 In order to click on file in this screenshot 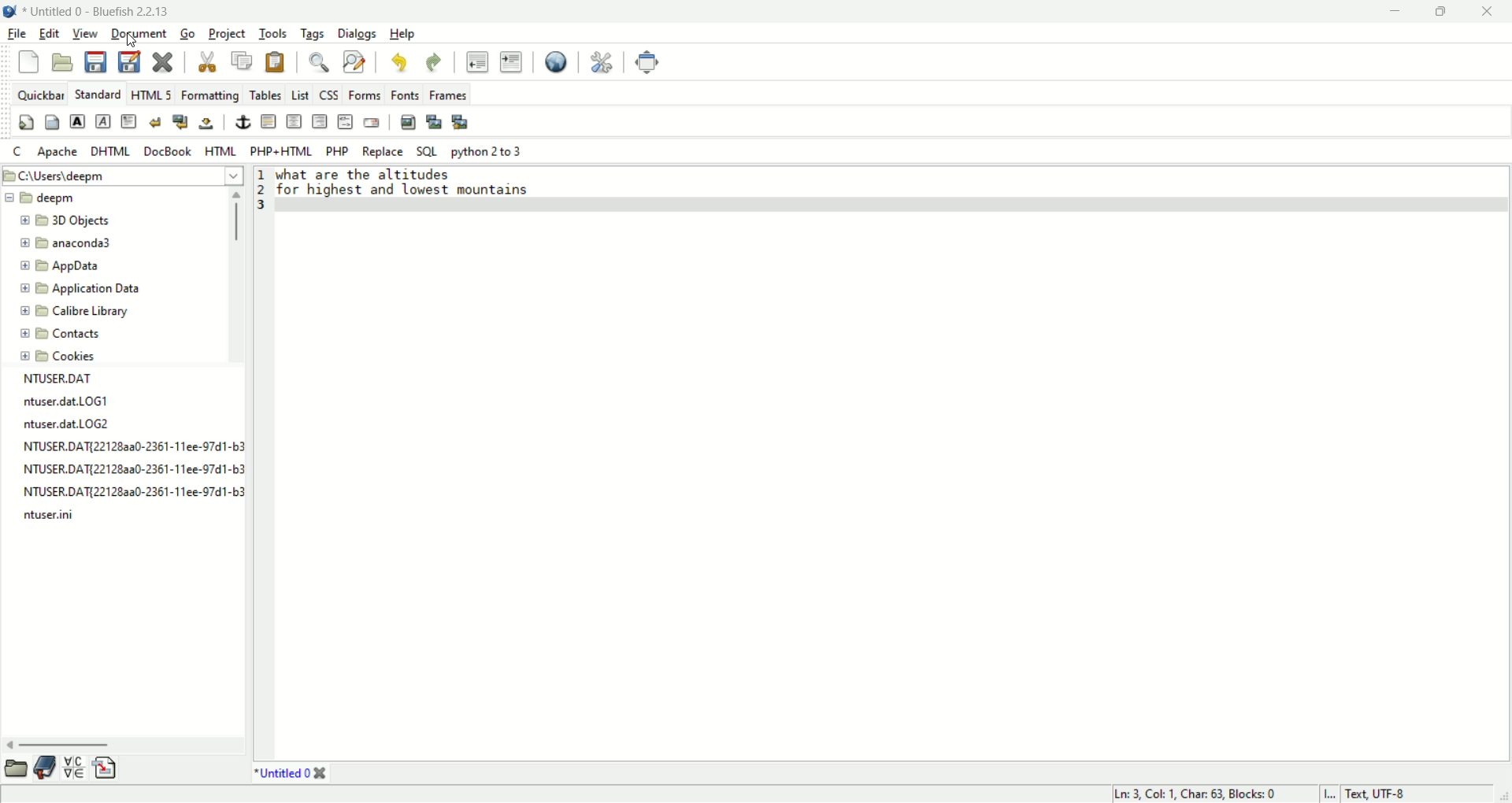, I will do `click(17, 34)`.